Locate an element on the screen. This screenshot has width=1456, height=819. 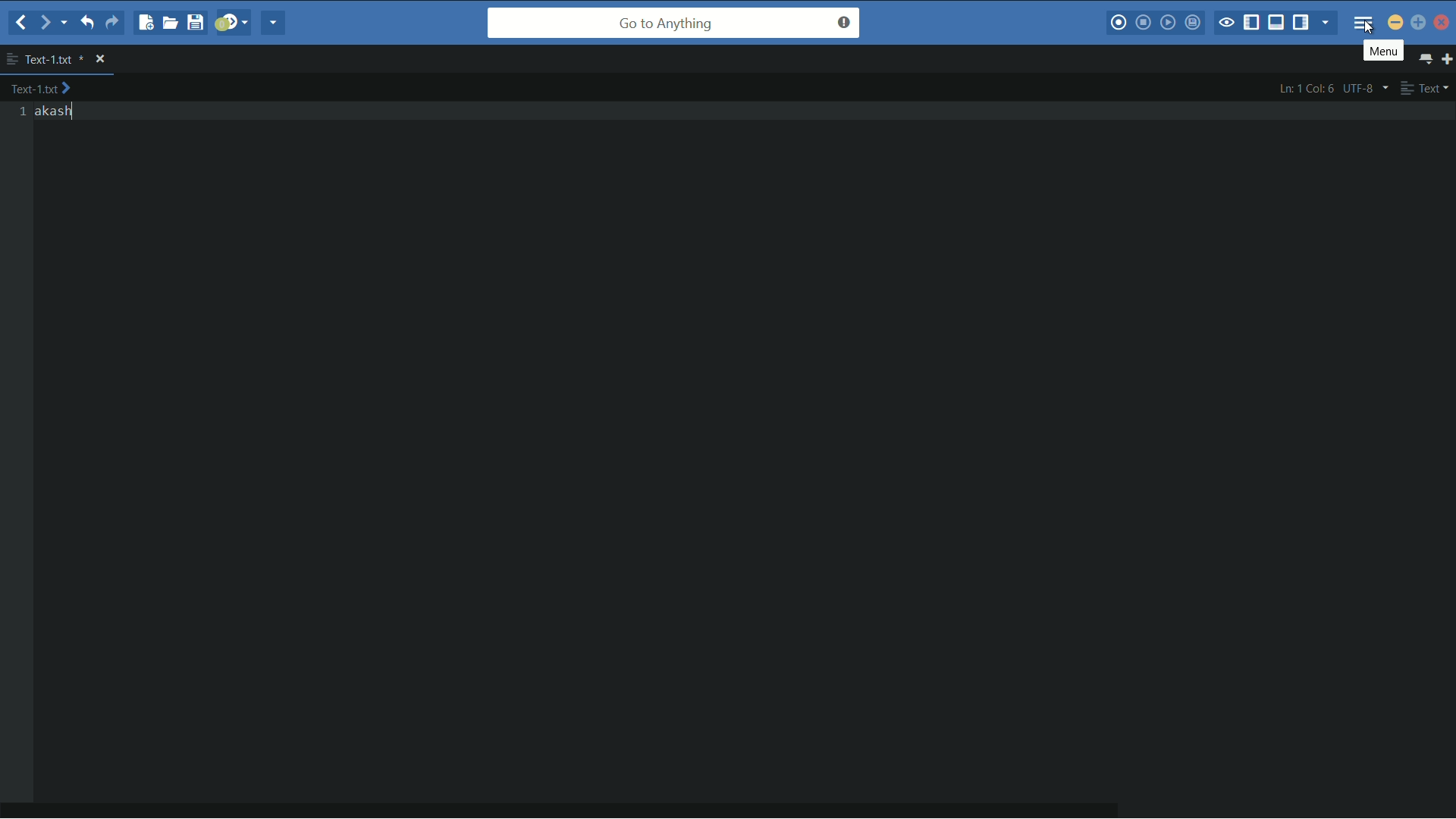
show/hide left panel is located at coordinates (1254, 22).